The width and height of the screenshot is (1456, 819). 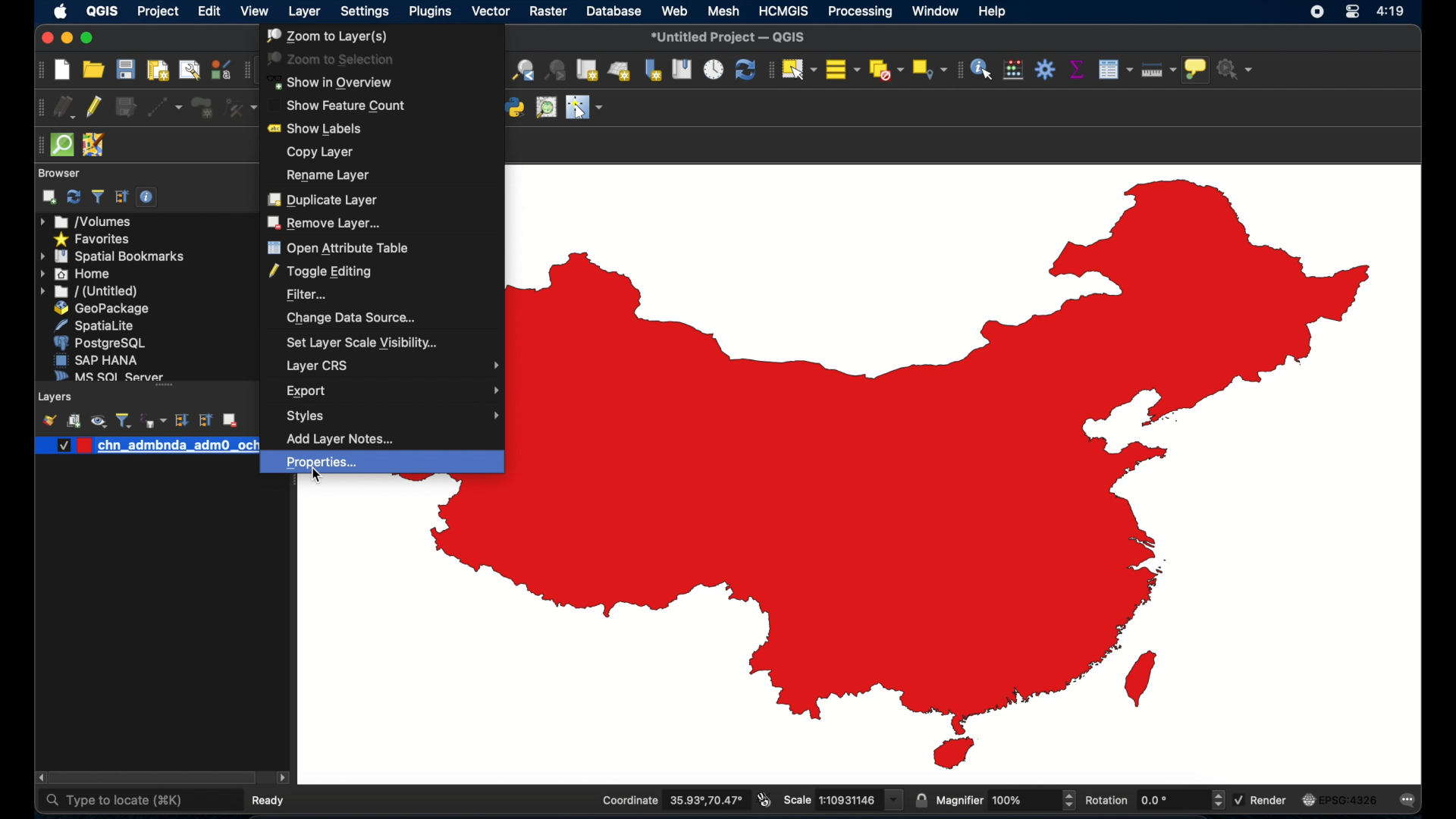 What do you see at coordinates (728, 39) in the screenshot?
I see `*untitled project - QGIS` at bounding box center [728, 39].